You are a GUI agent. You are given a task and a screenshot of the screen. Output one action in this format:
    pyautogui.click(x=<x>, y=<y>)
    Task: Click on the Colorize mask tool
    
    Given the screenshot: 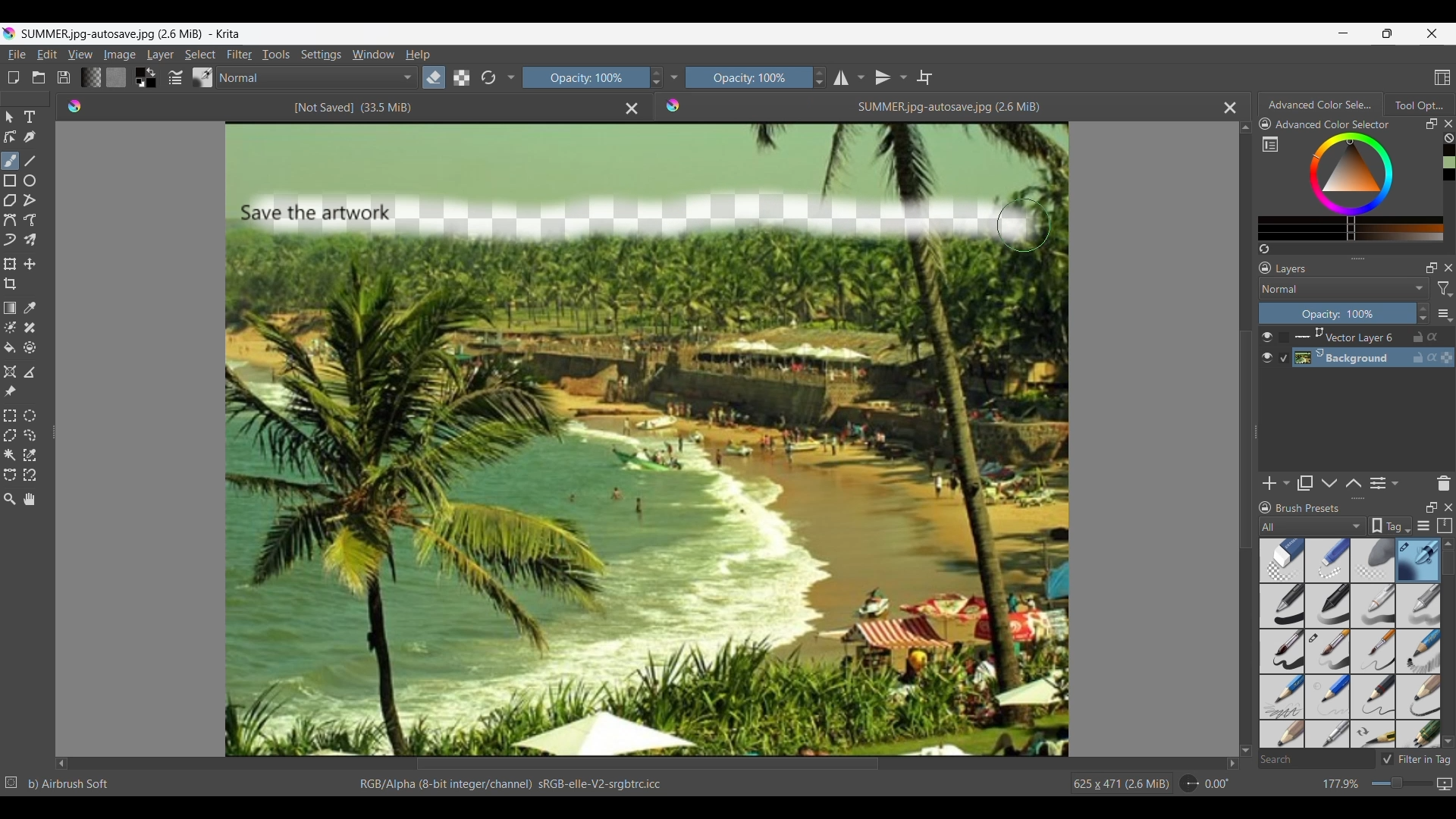 What is the action you would take?
    pyautogui.click(x=11, y=327)
    